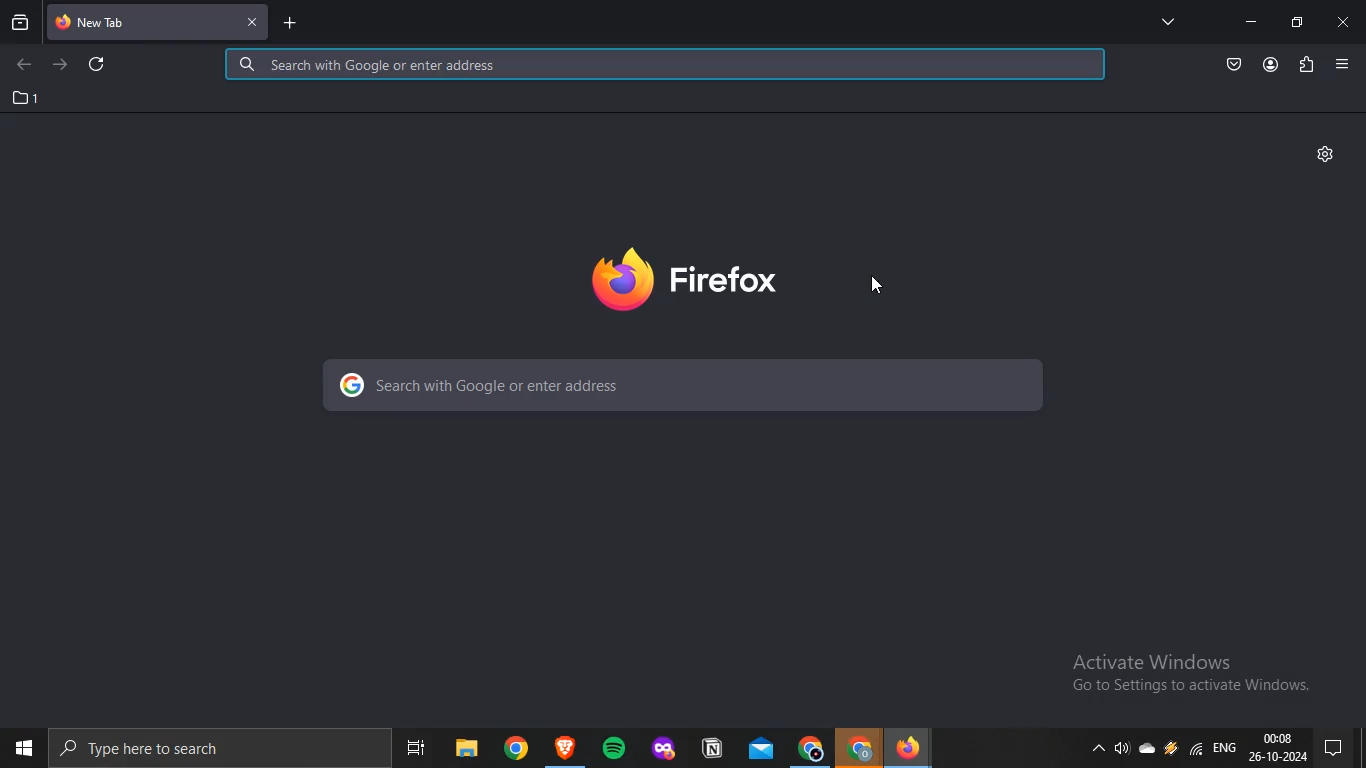  I want to click on battery, so click(1169, 754).